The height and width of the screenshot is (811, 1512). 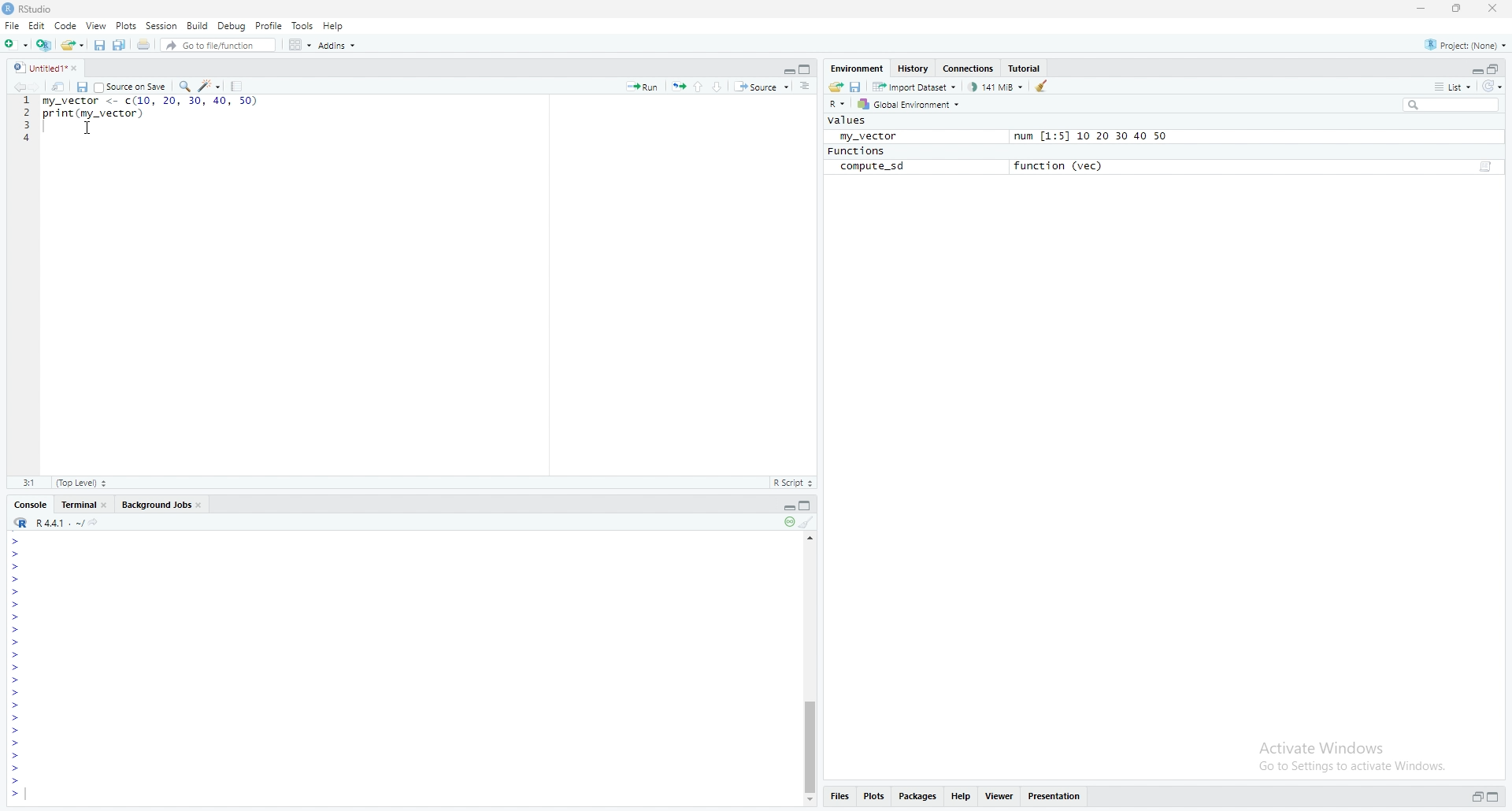 What do you see at coordinates (13, 617) in the screenshot?
I see `prompt cursor` at bounding box center [13, 617].